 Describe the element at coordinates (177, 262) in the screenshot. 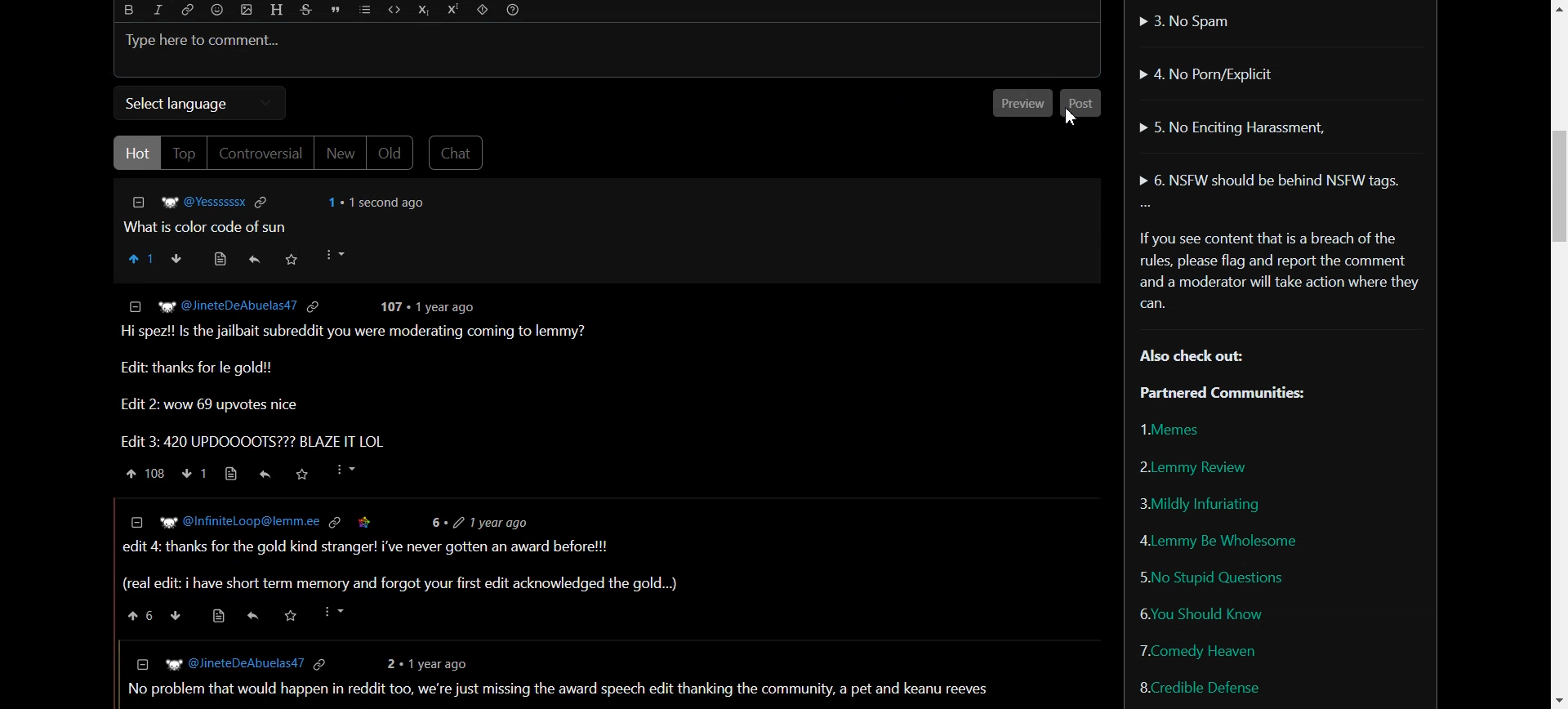

I see `Downvote` at that location.